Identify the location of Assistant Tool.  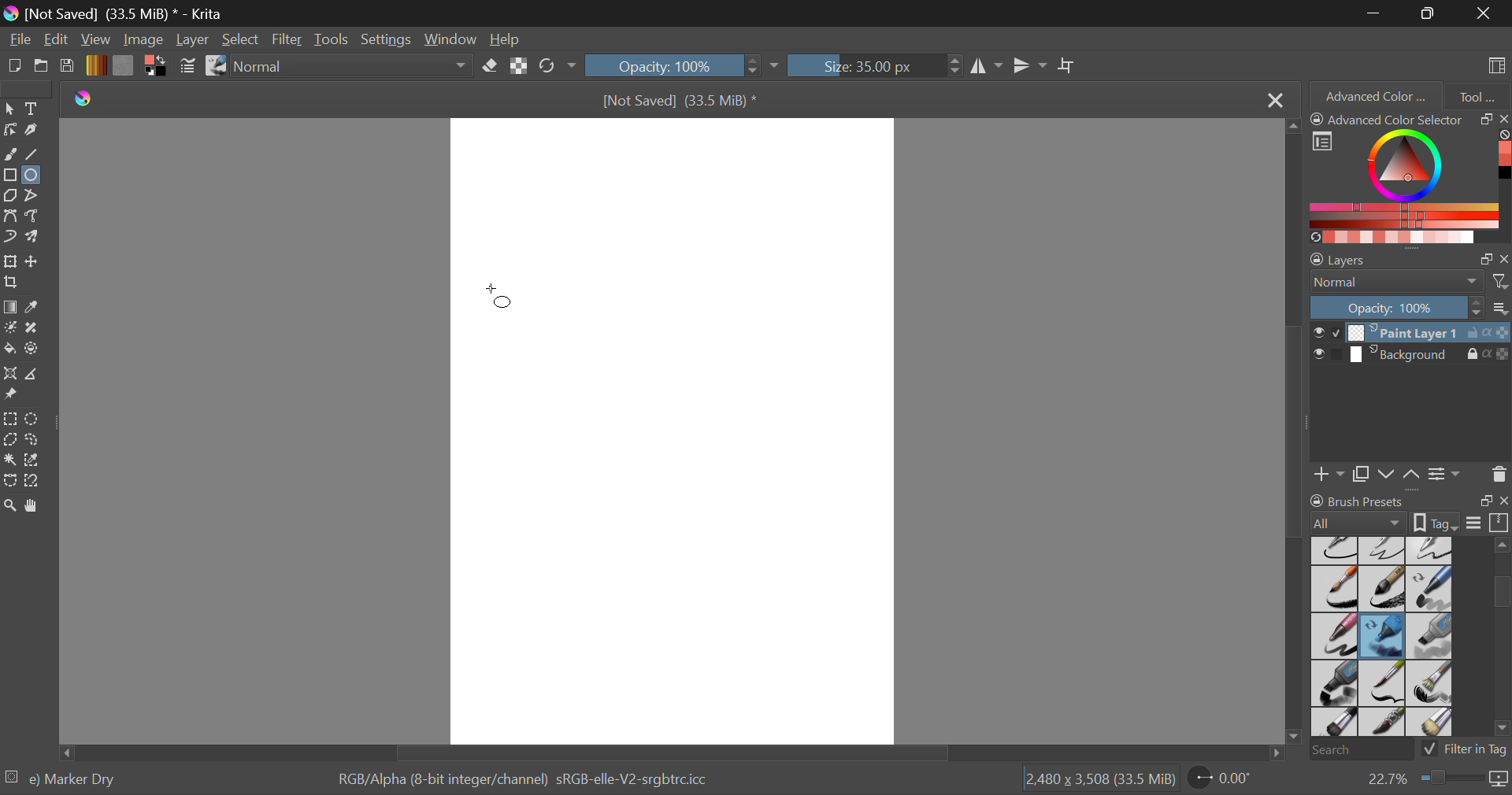
(11, 375).